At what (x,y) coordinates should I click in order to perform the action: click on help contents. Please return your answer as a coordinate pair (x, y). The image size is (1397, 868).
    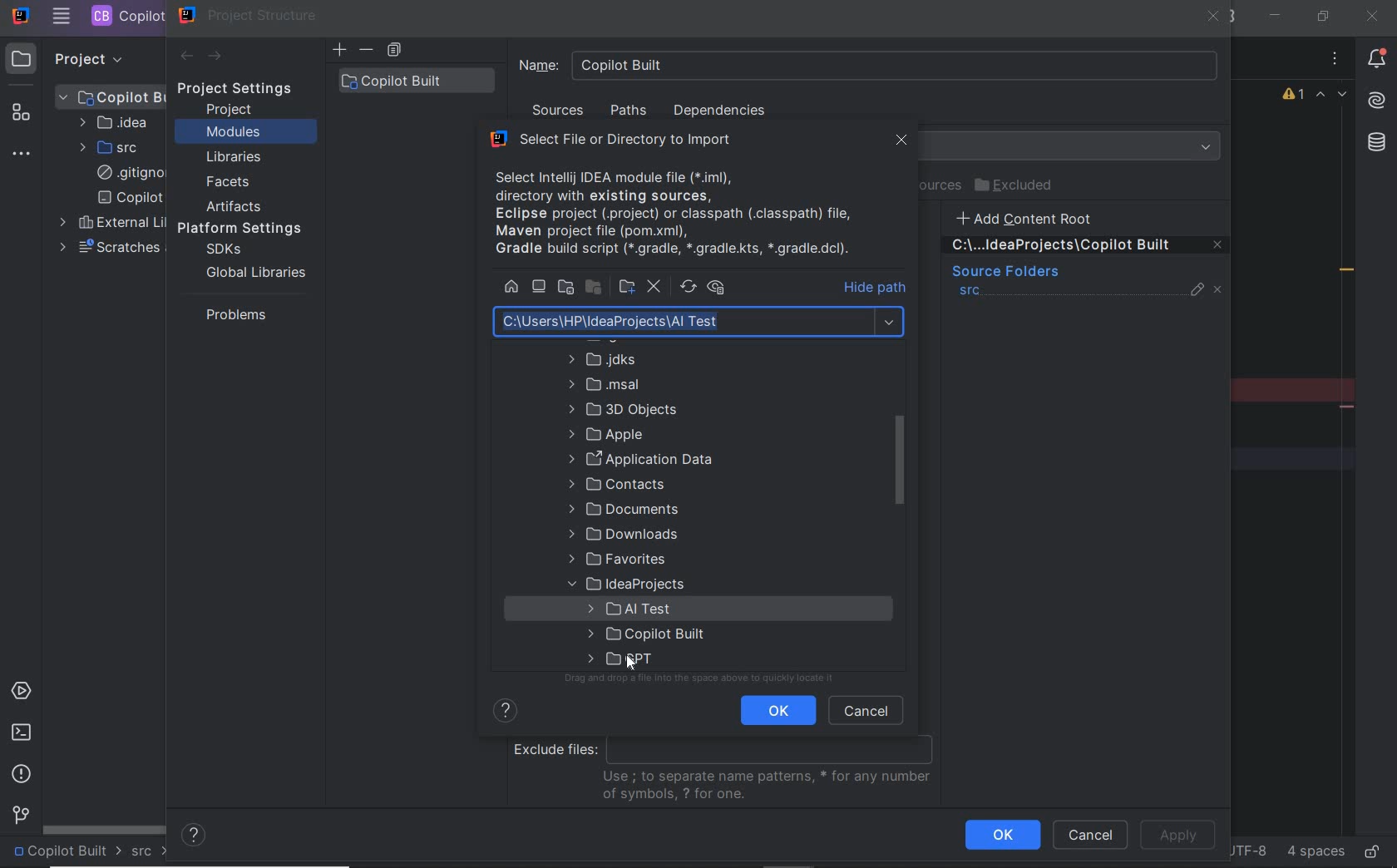
    Looking at the image, I should click on (195, 836).